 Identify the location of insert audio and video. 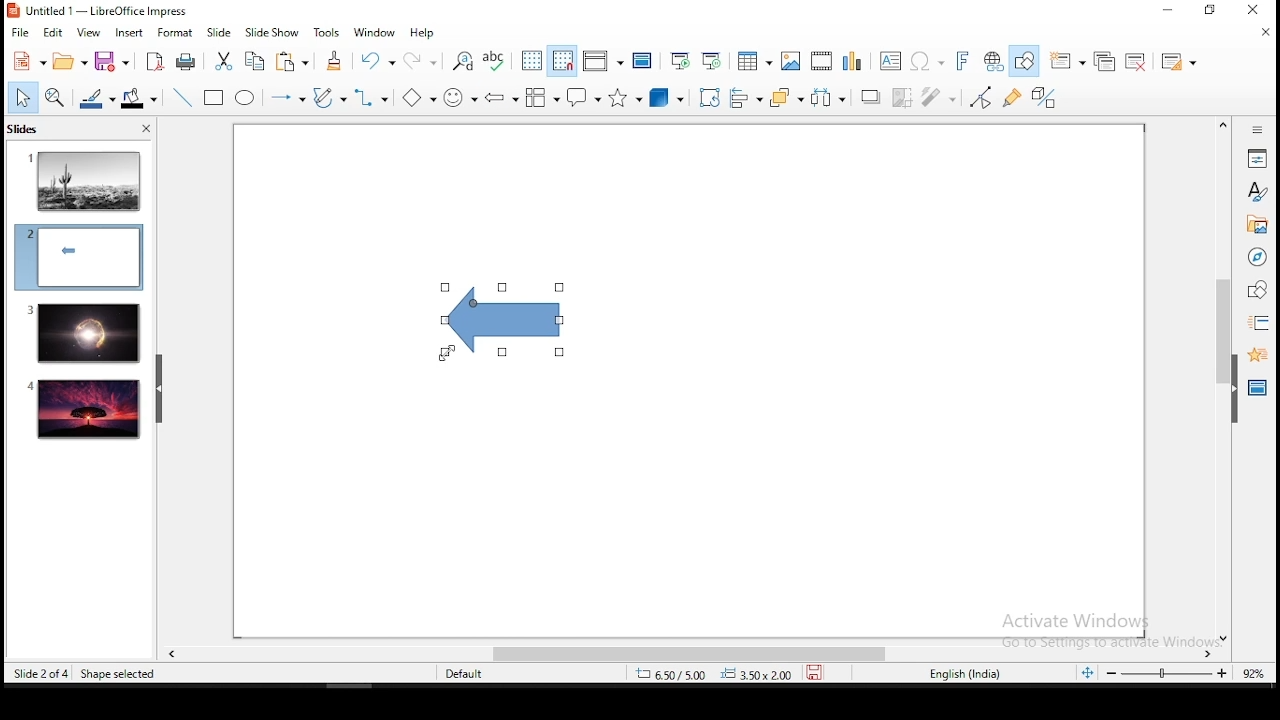
(823, 62).